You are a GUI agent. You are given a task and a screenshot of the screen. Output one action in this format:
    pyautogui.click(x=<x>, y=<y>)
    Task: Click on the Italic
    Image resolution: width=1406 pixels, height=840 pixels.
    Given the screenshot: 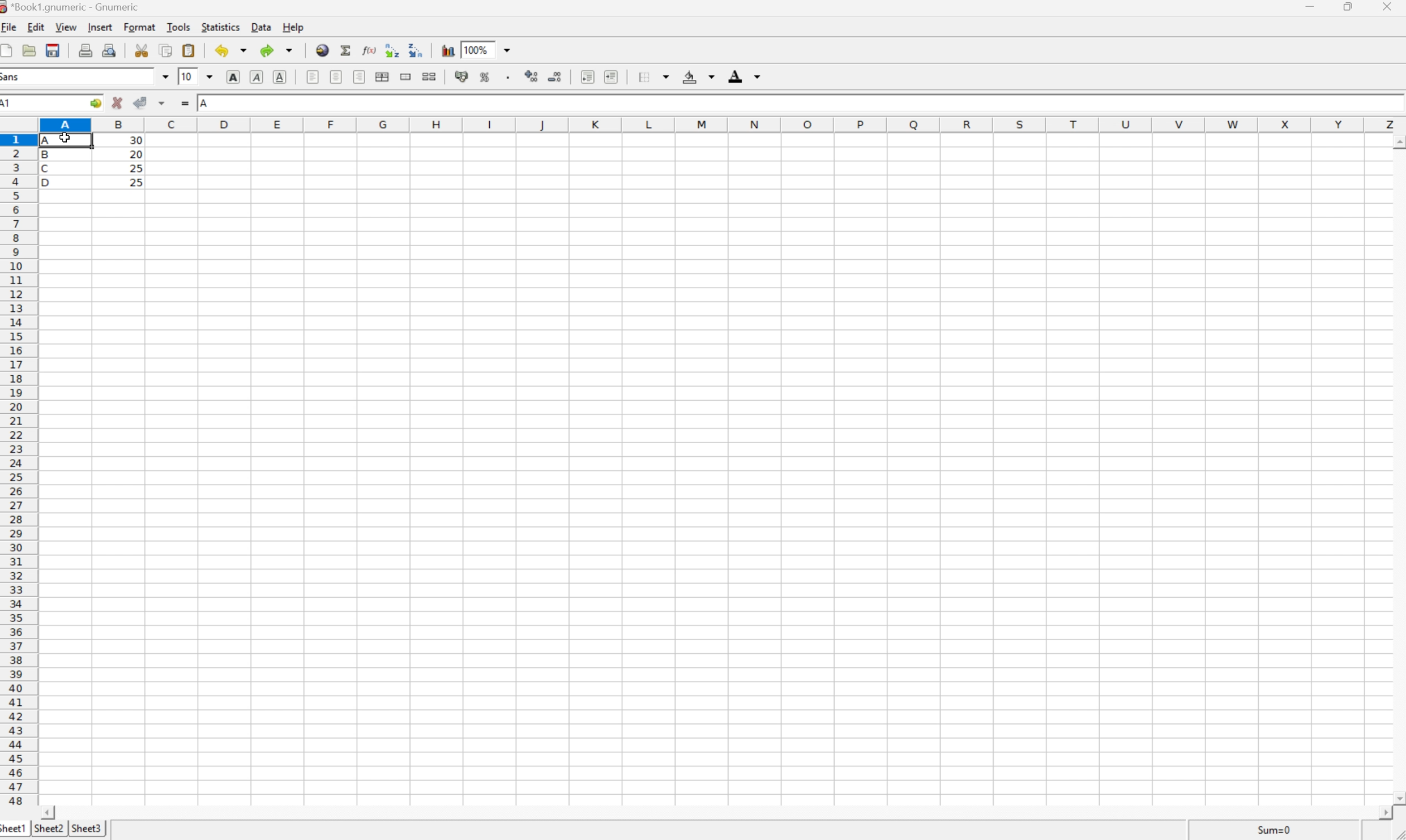 What is the action you would take?
    pyautogui.click(x=257, y=76)
    